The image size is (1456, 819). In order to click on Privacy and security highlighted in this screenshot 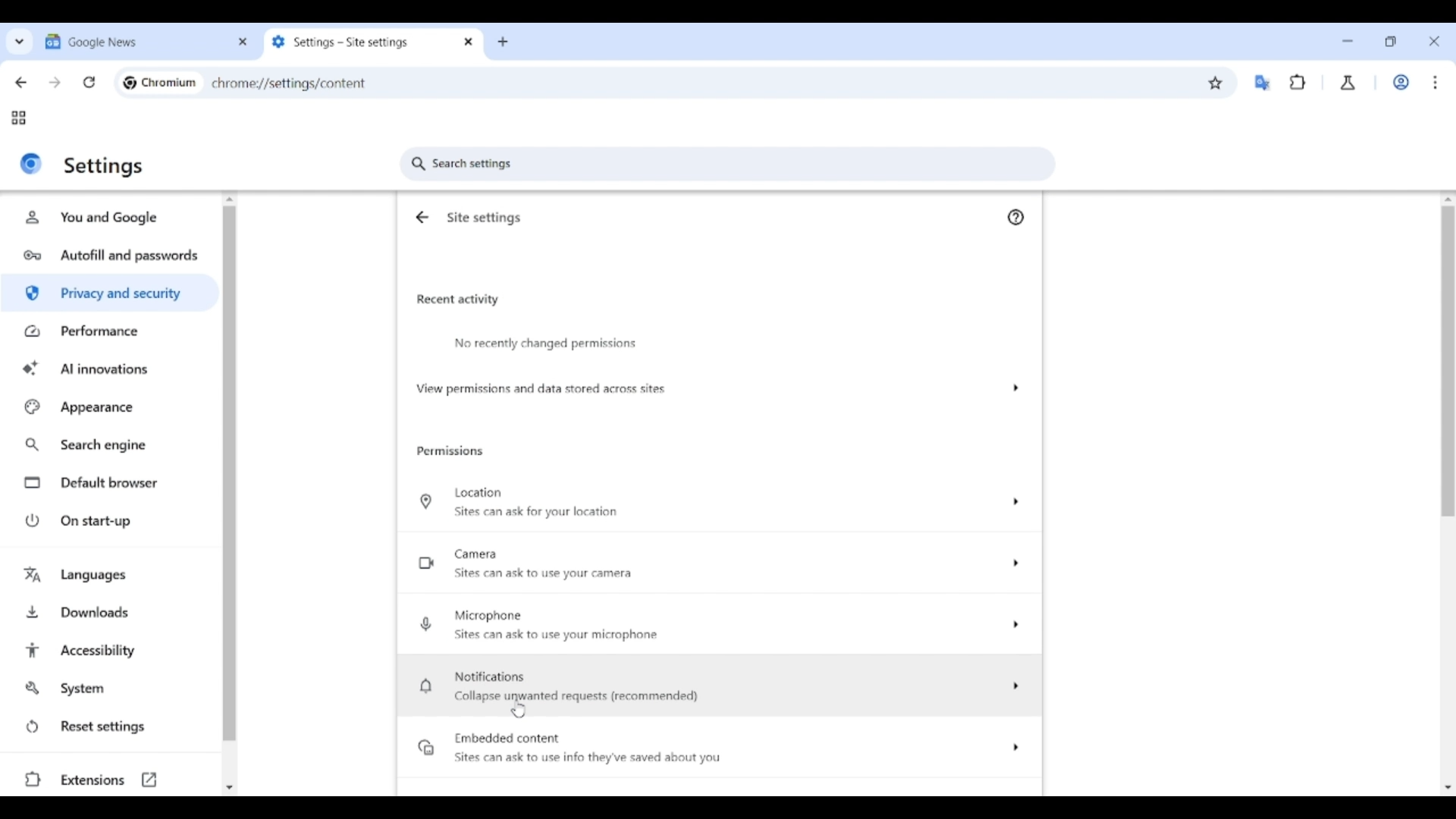, I will do `click(108, 296)`.